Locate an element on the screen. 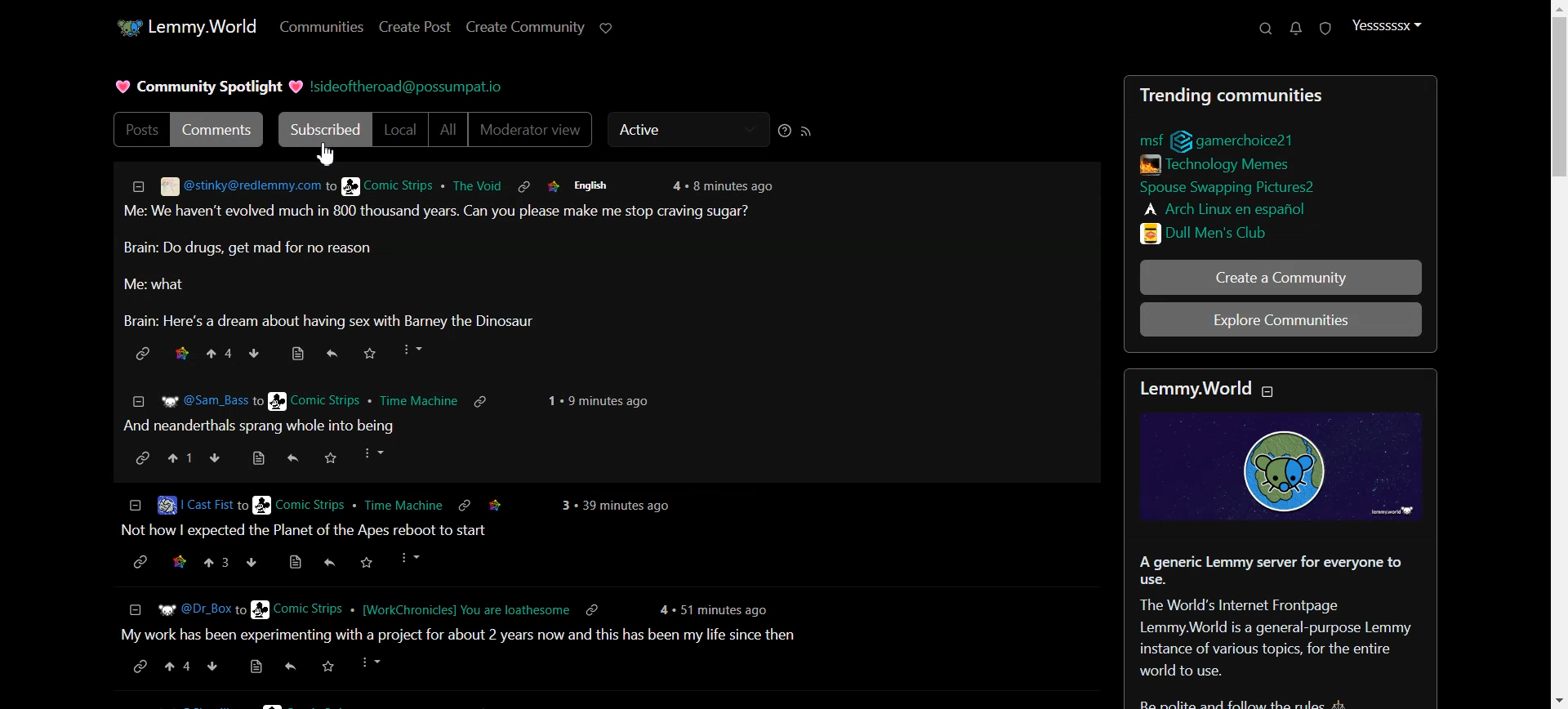 The image size is (1568, 709). All is located at coordinates (448, 131).